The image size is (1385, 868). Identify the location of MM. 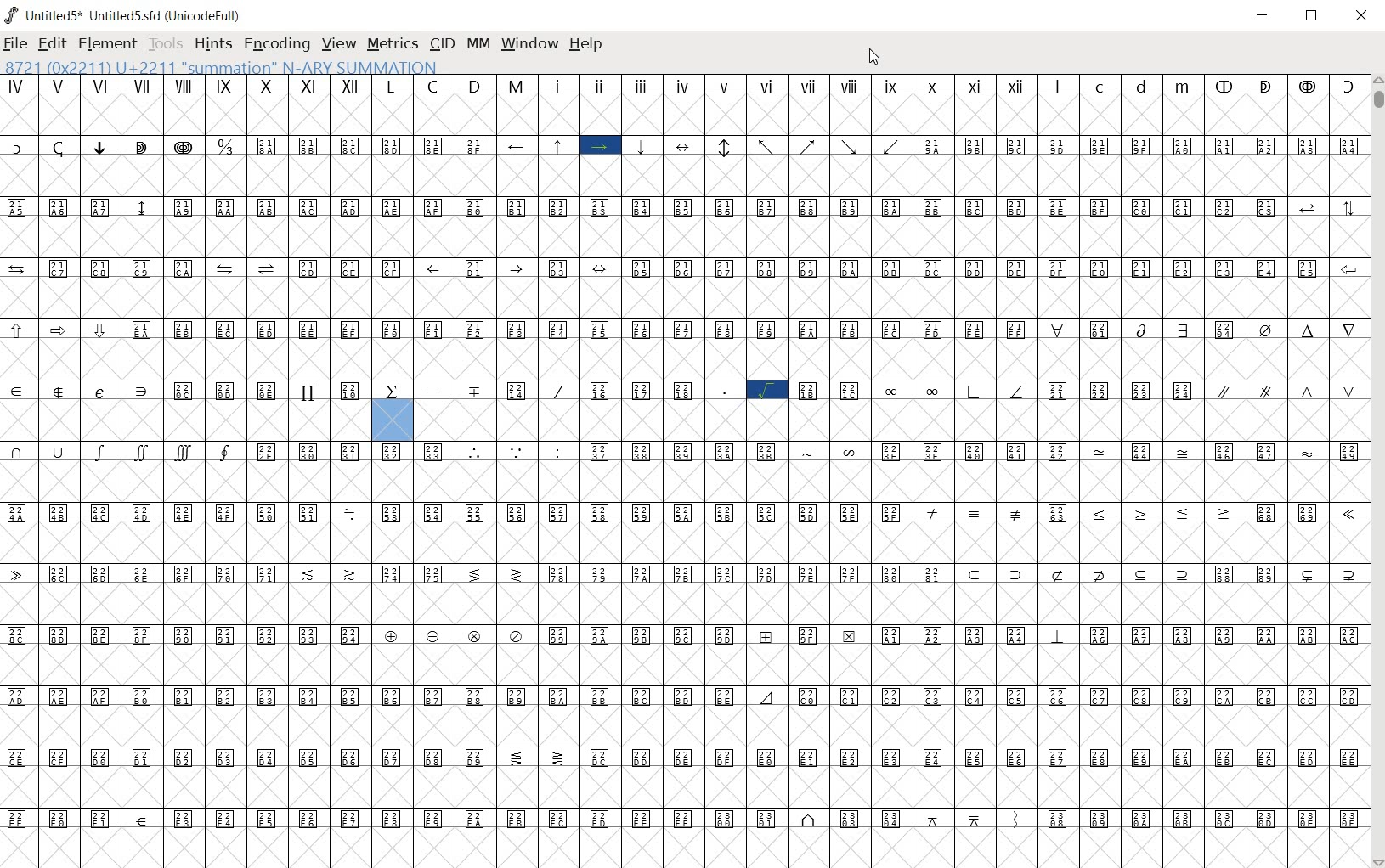
(477, 43).